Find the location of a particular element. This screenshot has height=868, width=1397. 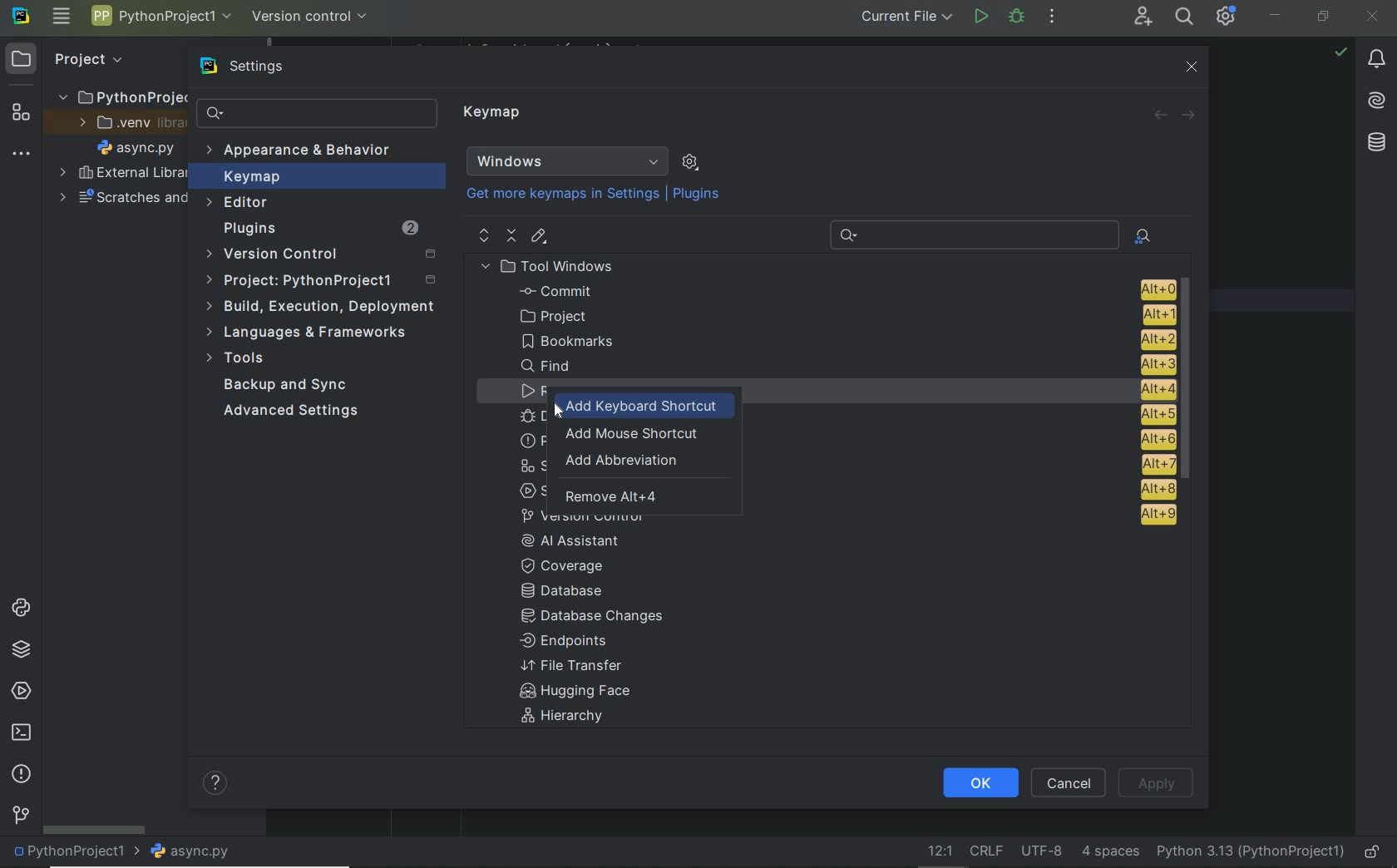

problems is located at coordinates (21, 775).